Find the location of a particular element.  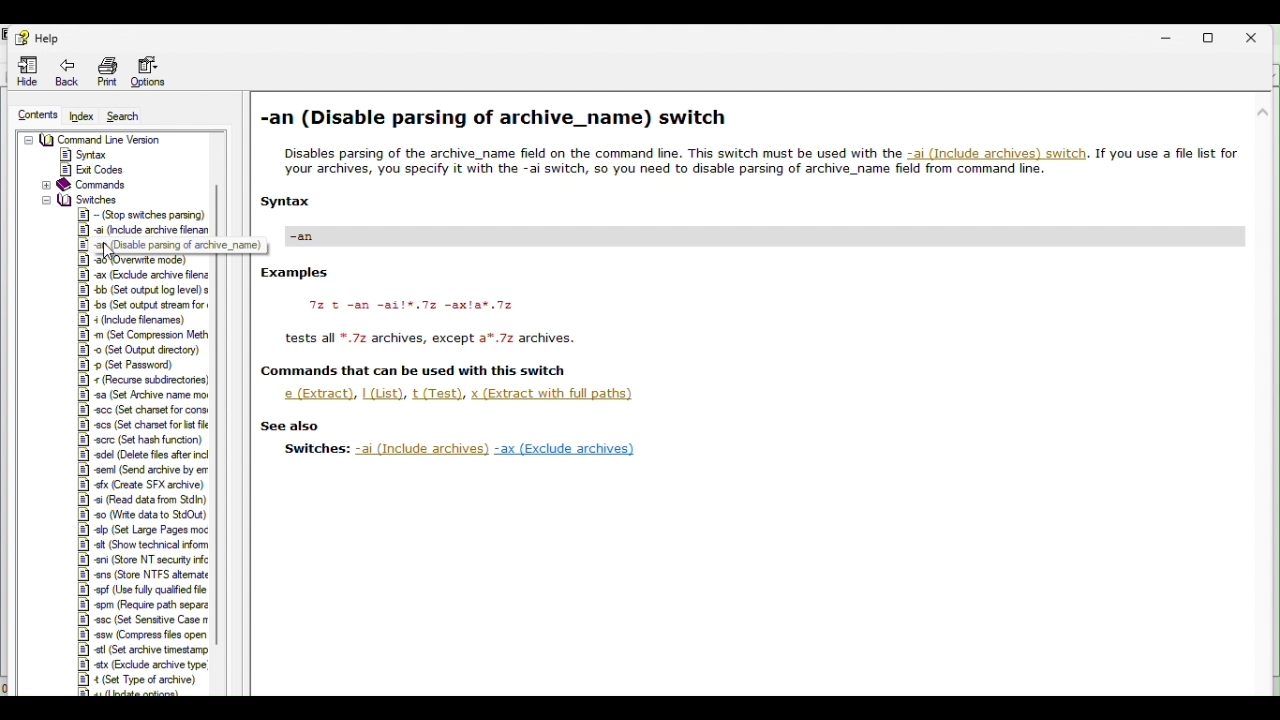

|] ssw (Compress files open is located at coordinates (140, 635).